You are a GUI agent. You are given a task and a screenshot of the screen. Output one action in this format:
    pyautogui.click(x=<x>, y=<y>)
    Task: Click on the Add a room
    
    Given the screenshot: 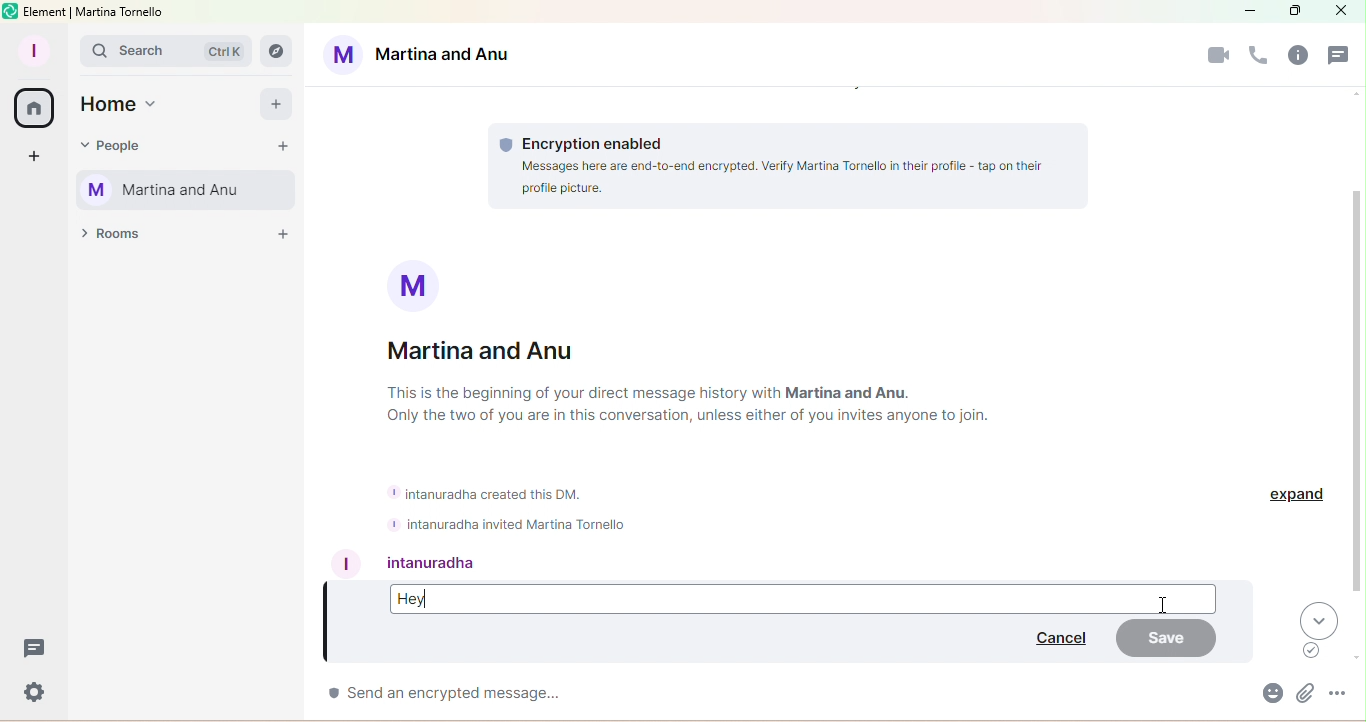 What is the action you would take?
    pyautogui.click(x=282, y=238)
    